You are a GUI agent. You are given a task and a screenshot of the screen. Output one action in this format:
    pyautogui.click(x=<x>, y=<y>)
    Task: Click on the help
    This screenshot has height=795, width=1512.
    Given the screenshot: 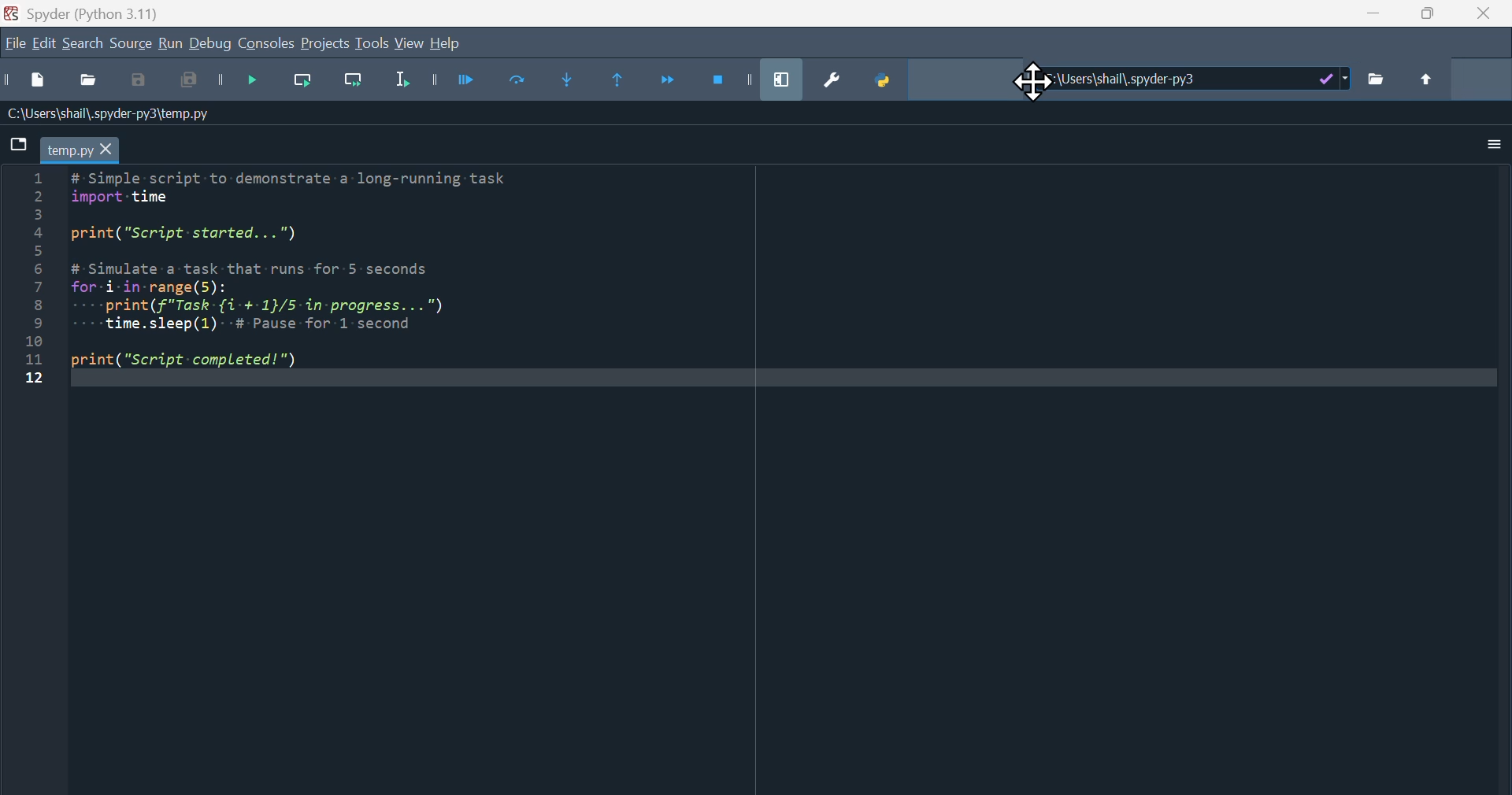 What is the action you would take?
    pyautogui.click(x=447, y=46)
    